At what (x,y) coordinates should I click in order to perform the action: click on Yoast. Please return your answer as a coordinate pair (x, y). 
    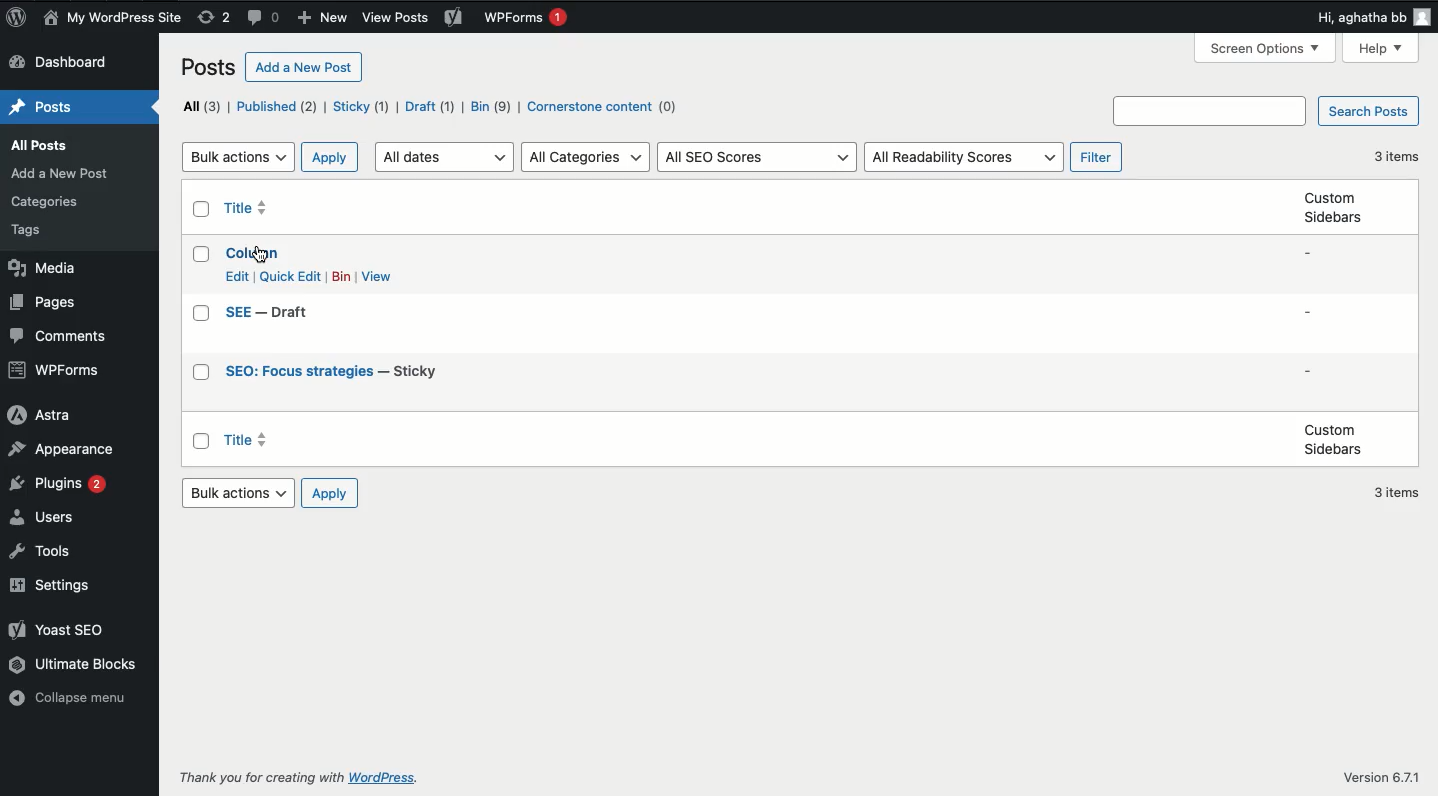
    Looking at the image, I should click on (456, 18).